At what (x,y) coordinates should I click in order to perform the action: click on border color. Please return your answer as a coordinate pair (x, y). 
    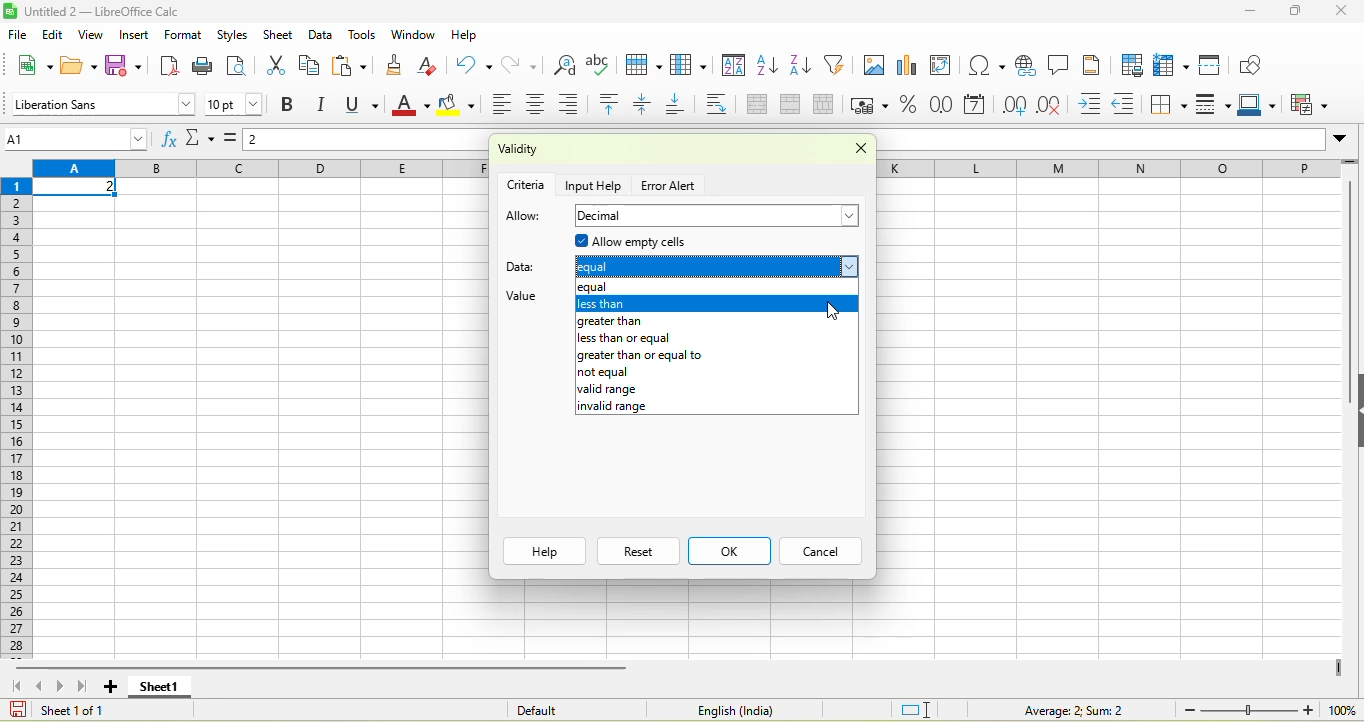
    Looking at the image, I should click on (1261, 106).